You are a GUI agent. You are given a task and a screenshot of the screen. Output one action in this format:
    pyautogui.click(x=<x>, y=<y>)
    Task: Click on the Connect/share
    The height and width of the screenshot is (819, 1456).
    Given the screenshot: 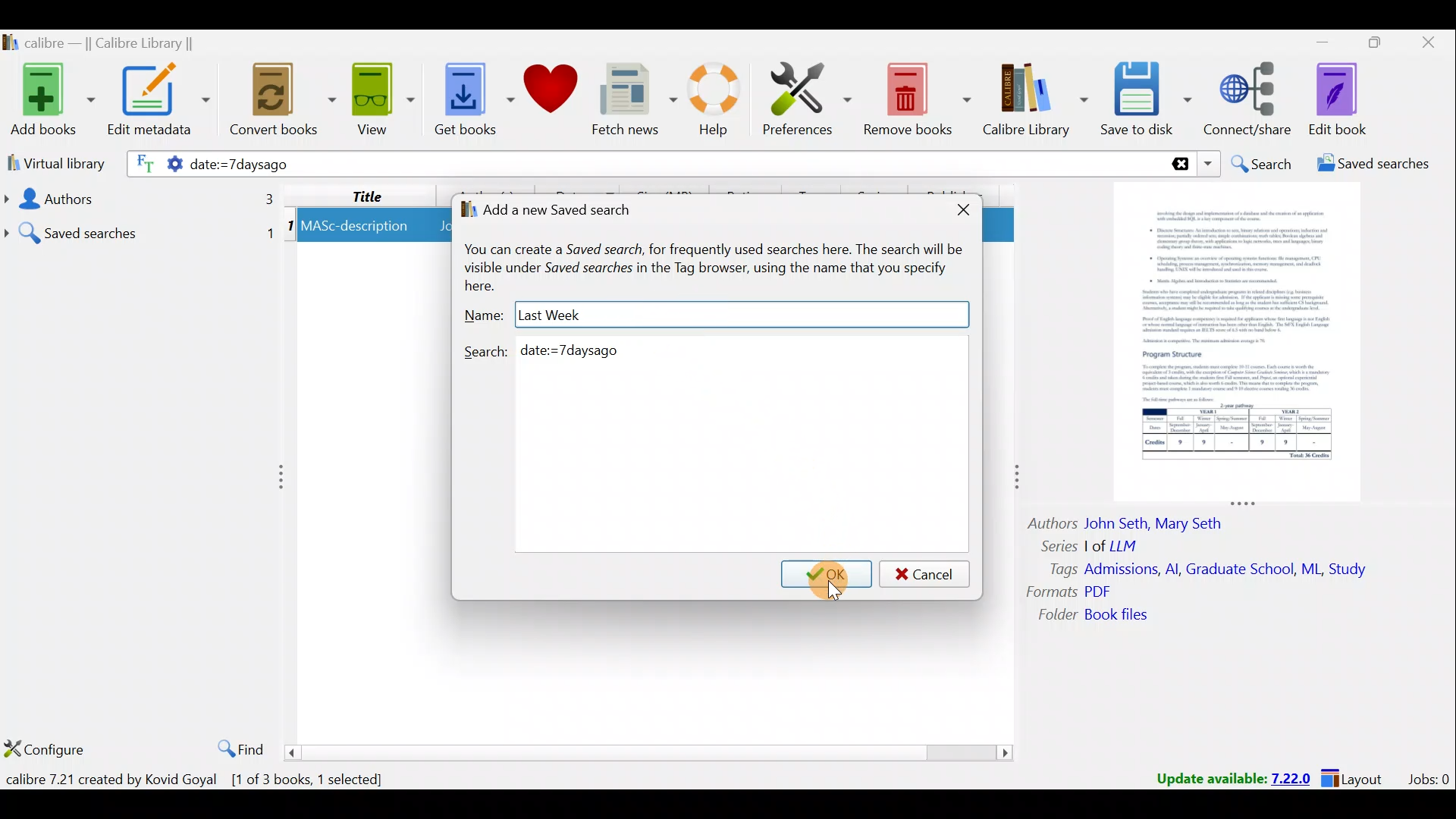 What is the action you would take?
    pyautogui.click(x=1251, y=100)
    